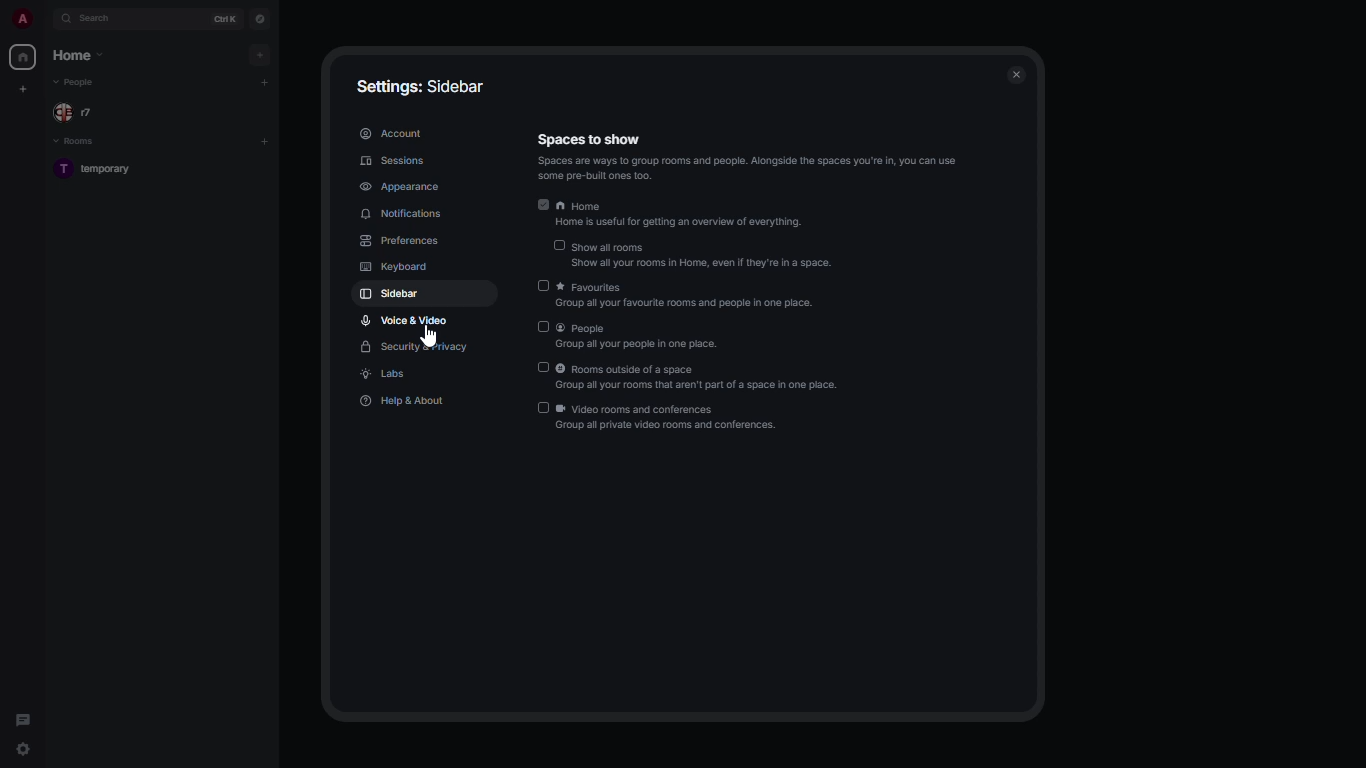 The width and height of the screenshot is (1366, 768). Describe the element at coordinates (264, 52) in the screenshot. I see `add` at that location.